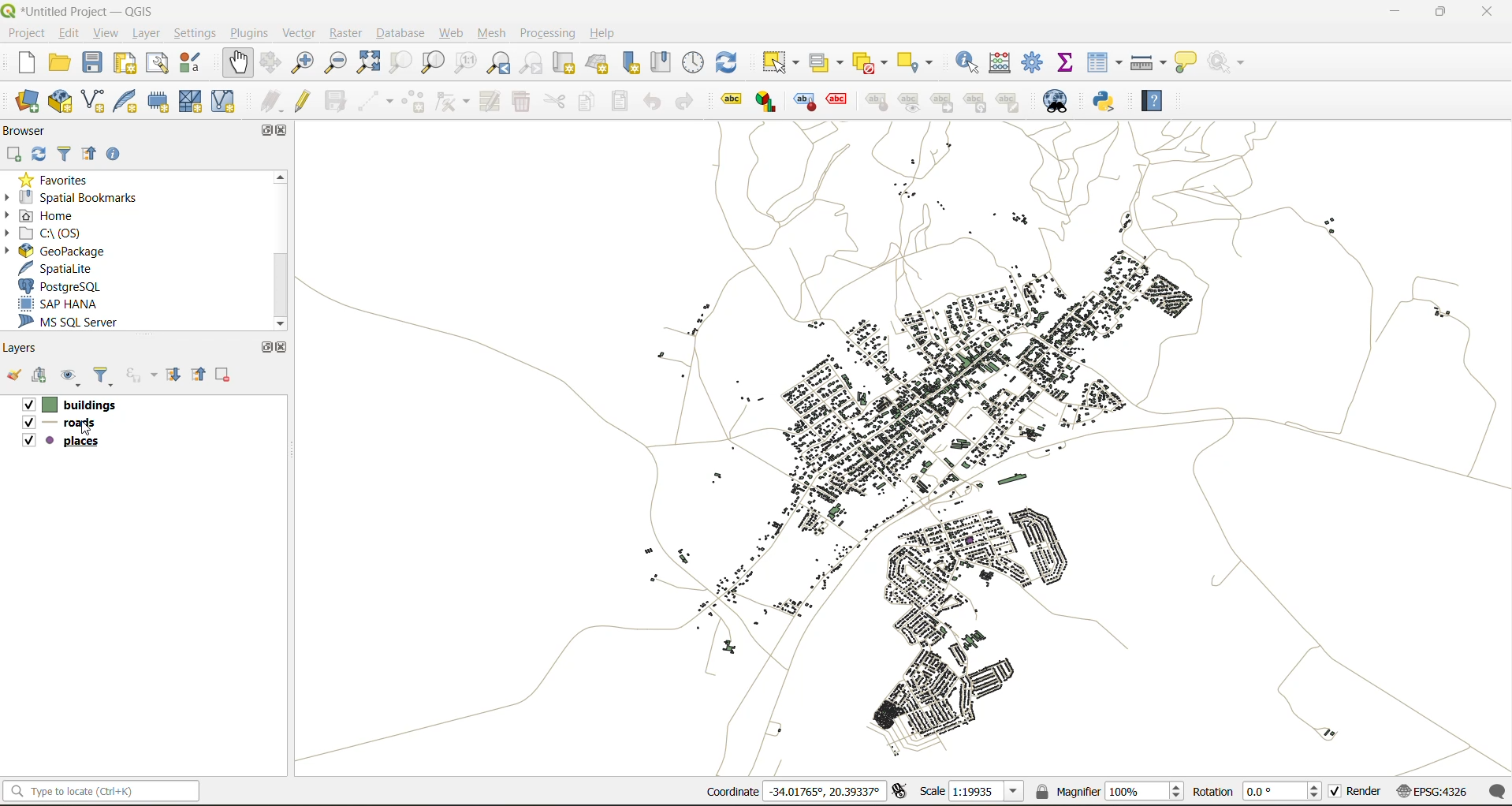 Image resolution: width=1512 pixels, height=806 pixels. I want to click on file name and app name, so click(88, 12).